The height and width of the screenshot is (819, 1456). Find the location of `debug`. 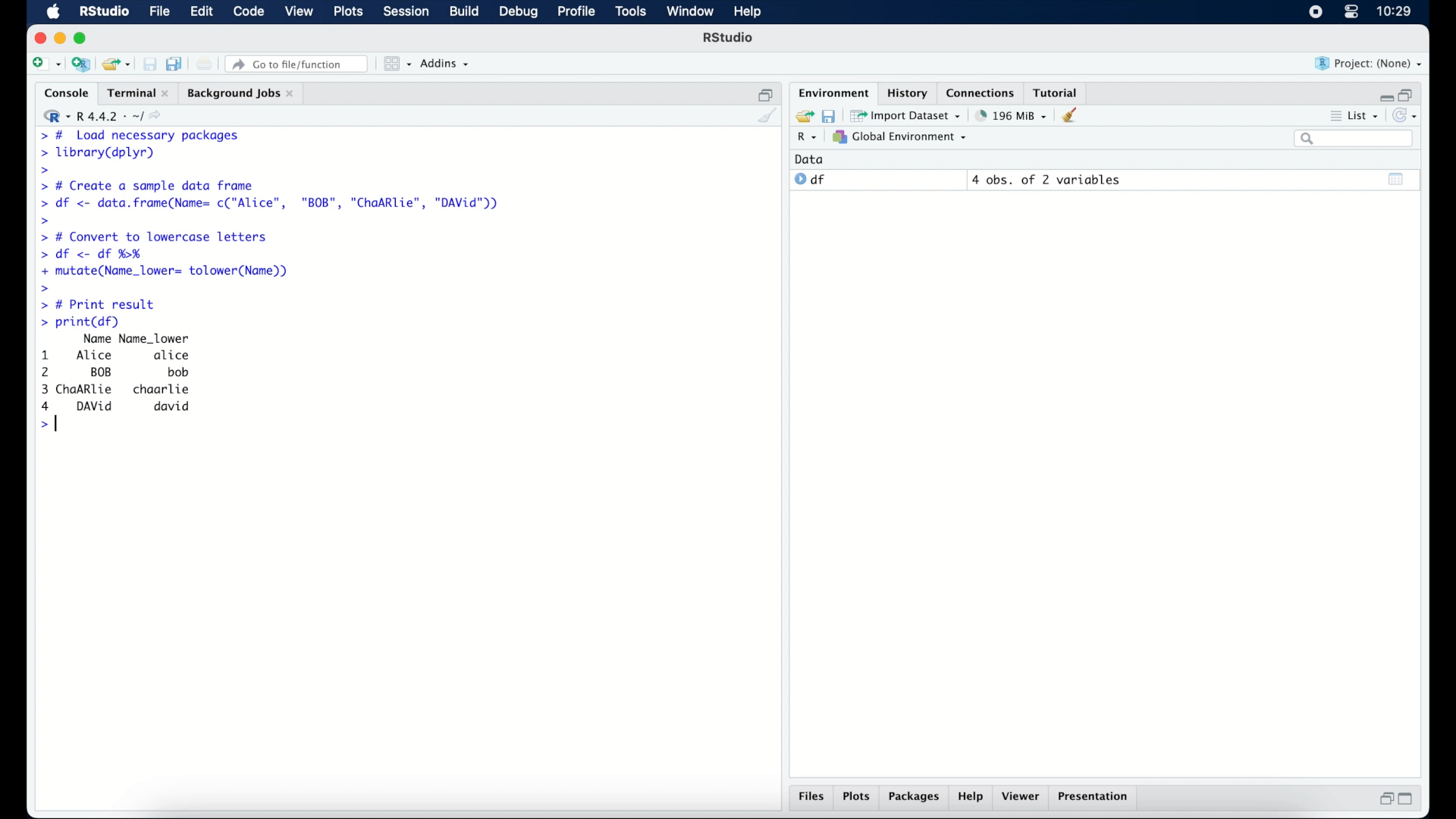

debug is located at coordinates (519, 13).